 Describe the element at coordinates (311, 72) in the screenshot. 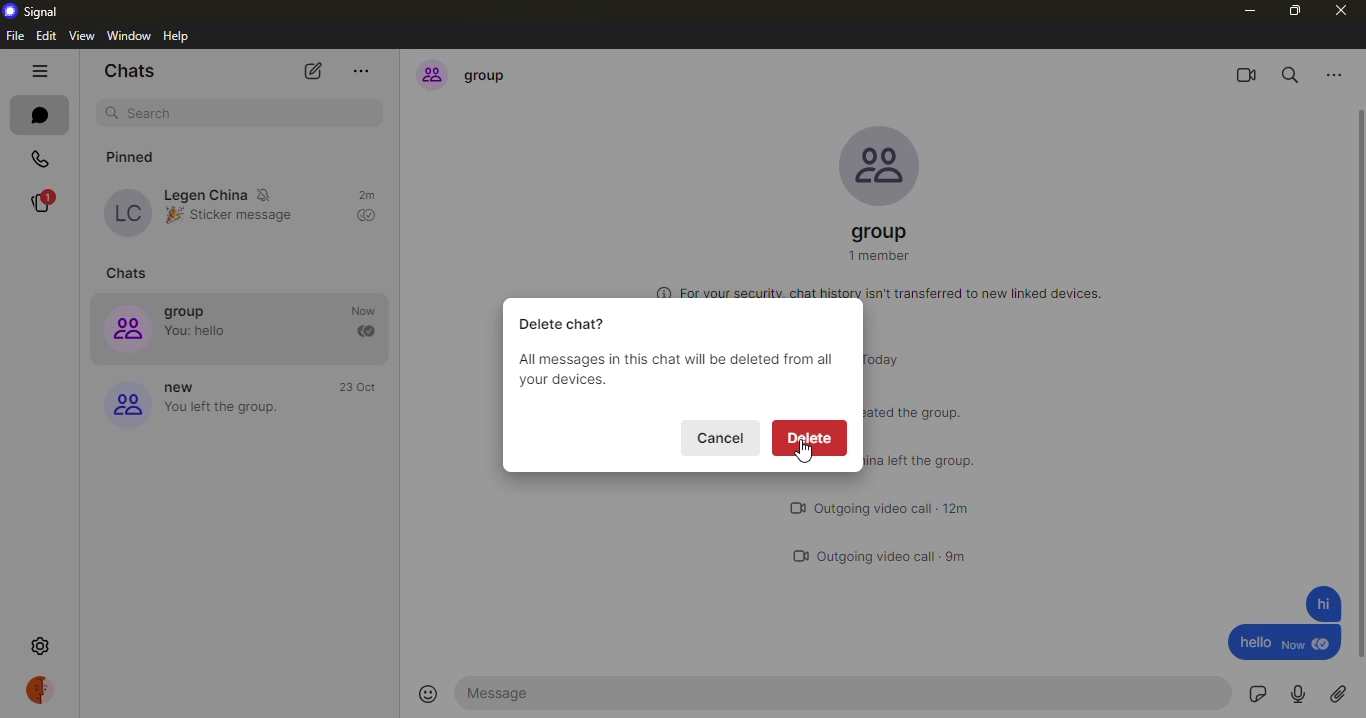

I see `new chat` at that location.